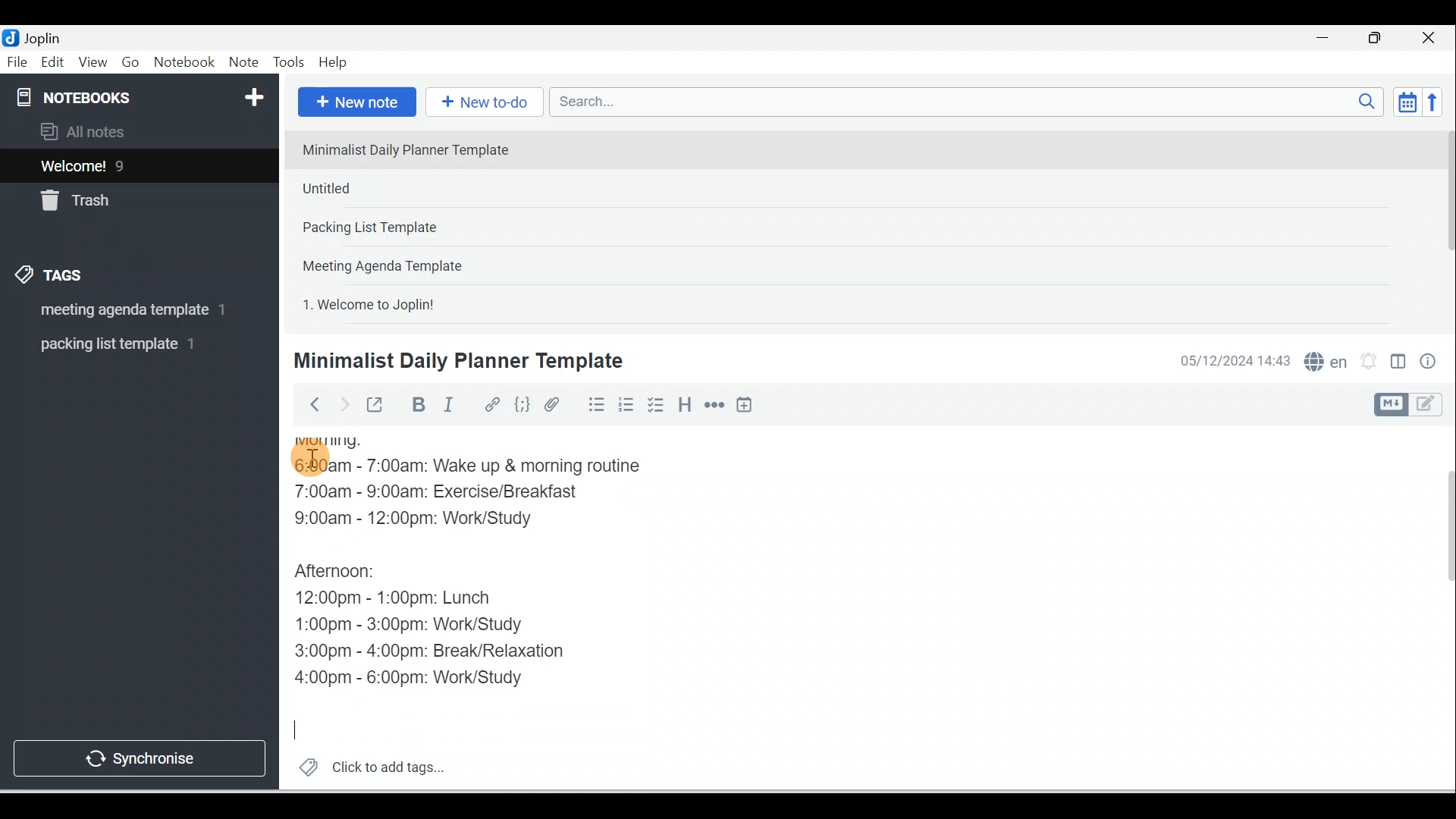 Image resolution: width=1456 pixels, height=819 pixels. What do you see at coordinates (1323, 359) in the screenshot?
I see `Spelling` at bounding box center [1323, 359].